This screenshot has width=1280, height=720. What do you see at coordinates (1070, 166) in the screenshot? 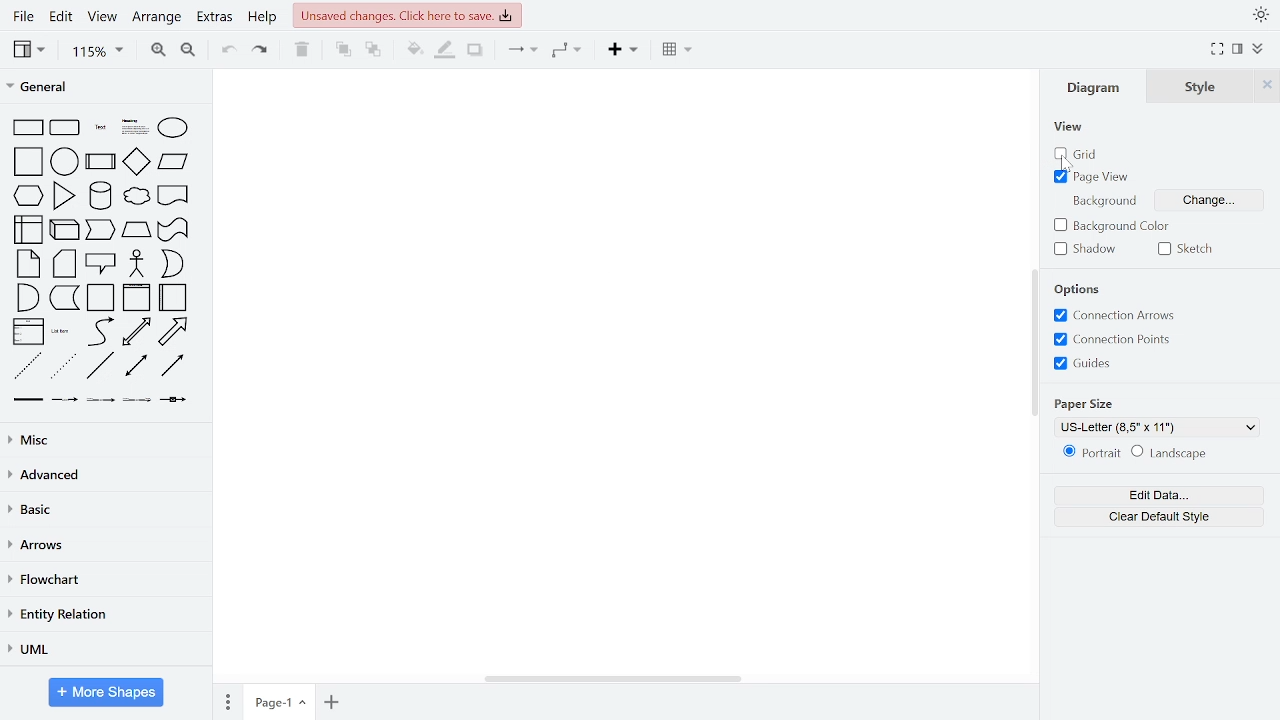
I see `cursor` at bounding box center [1070, 166].